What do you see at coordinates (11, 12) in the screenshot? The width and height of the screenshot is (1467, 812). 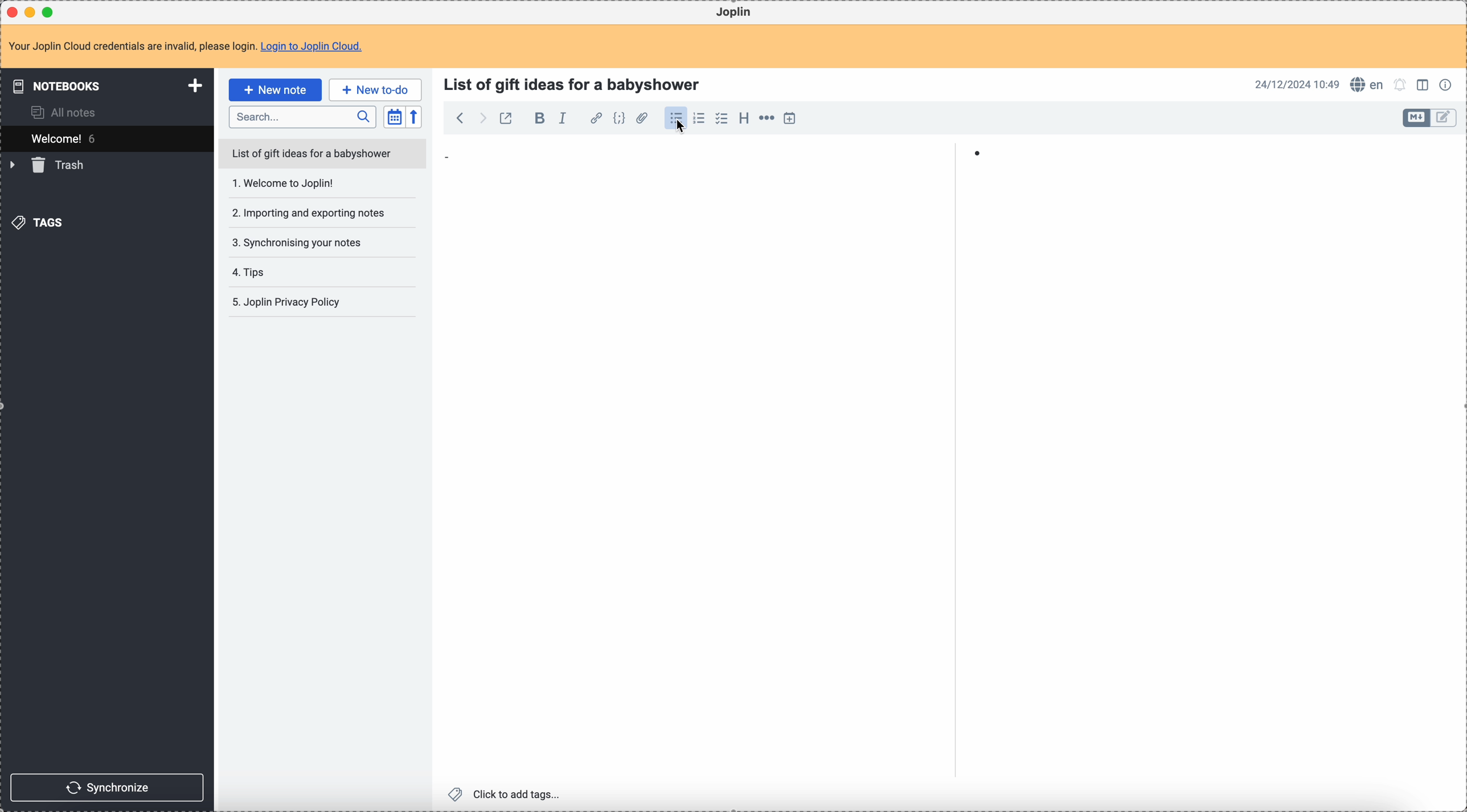 I see `close Joplin` at bounding box center [11, 12].